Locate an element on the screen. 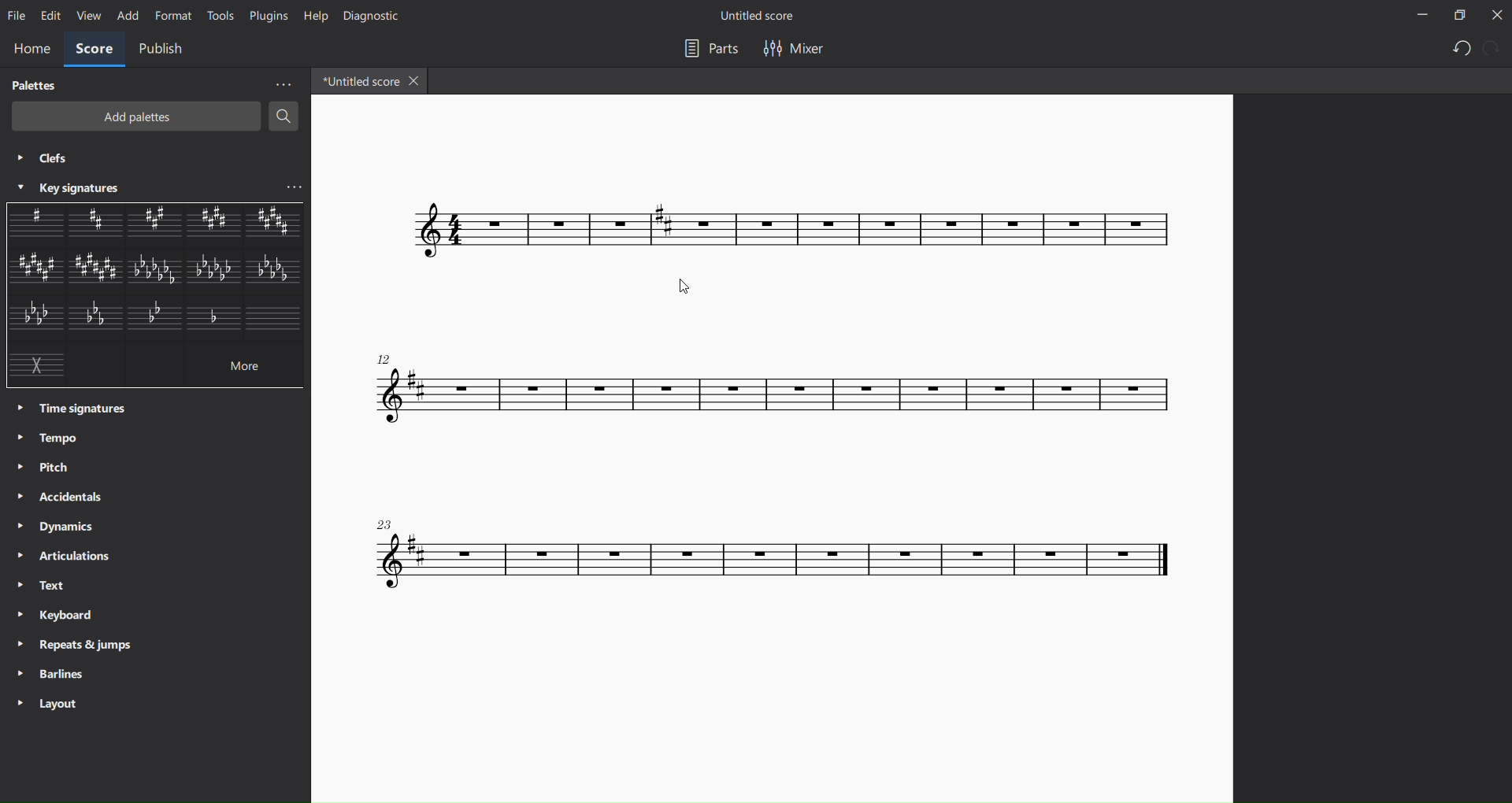 The width and height of the screenshot is (1512, 803). palettes is located at coordinates (31, 85).